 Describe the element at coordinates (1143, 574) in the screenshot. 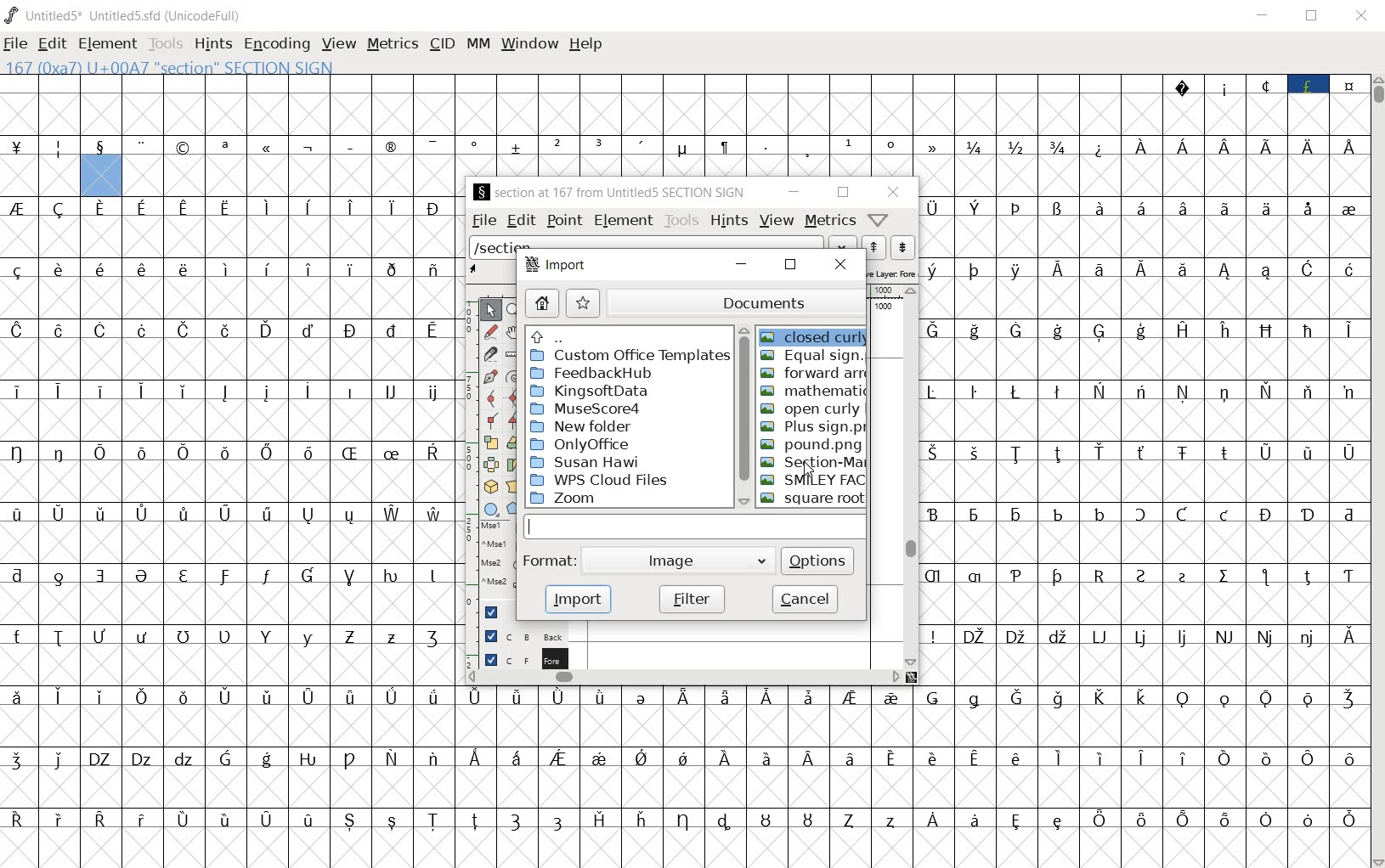

I see `special letters` at that location.